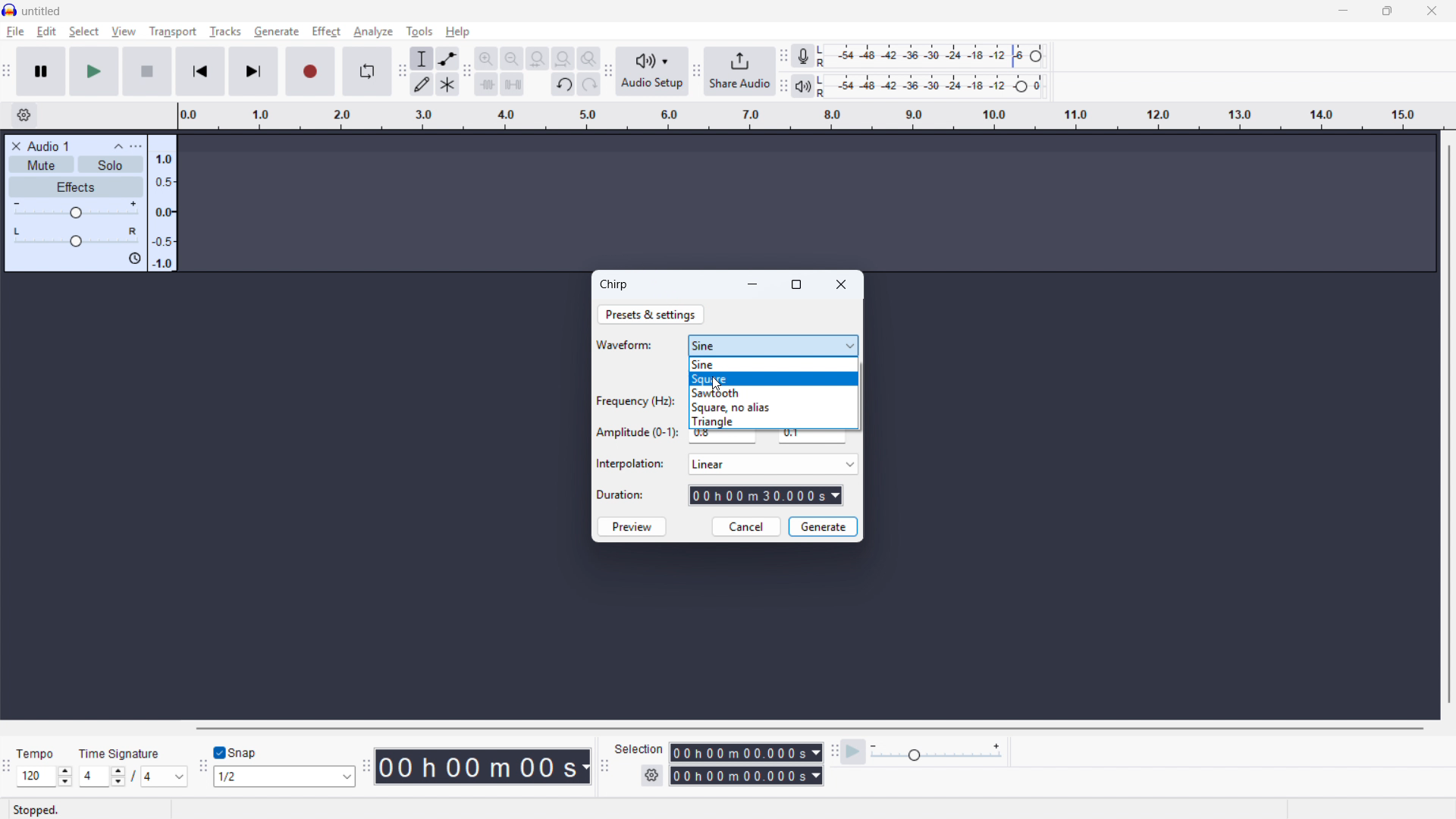 This screenshot has width=1456, height=819. What do you see at coordinates (753, 284) in the screenshot?
I see `minimise ` at bounding box center [753, 284].